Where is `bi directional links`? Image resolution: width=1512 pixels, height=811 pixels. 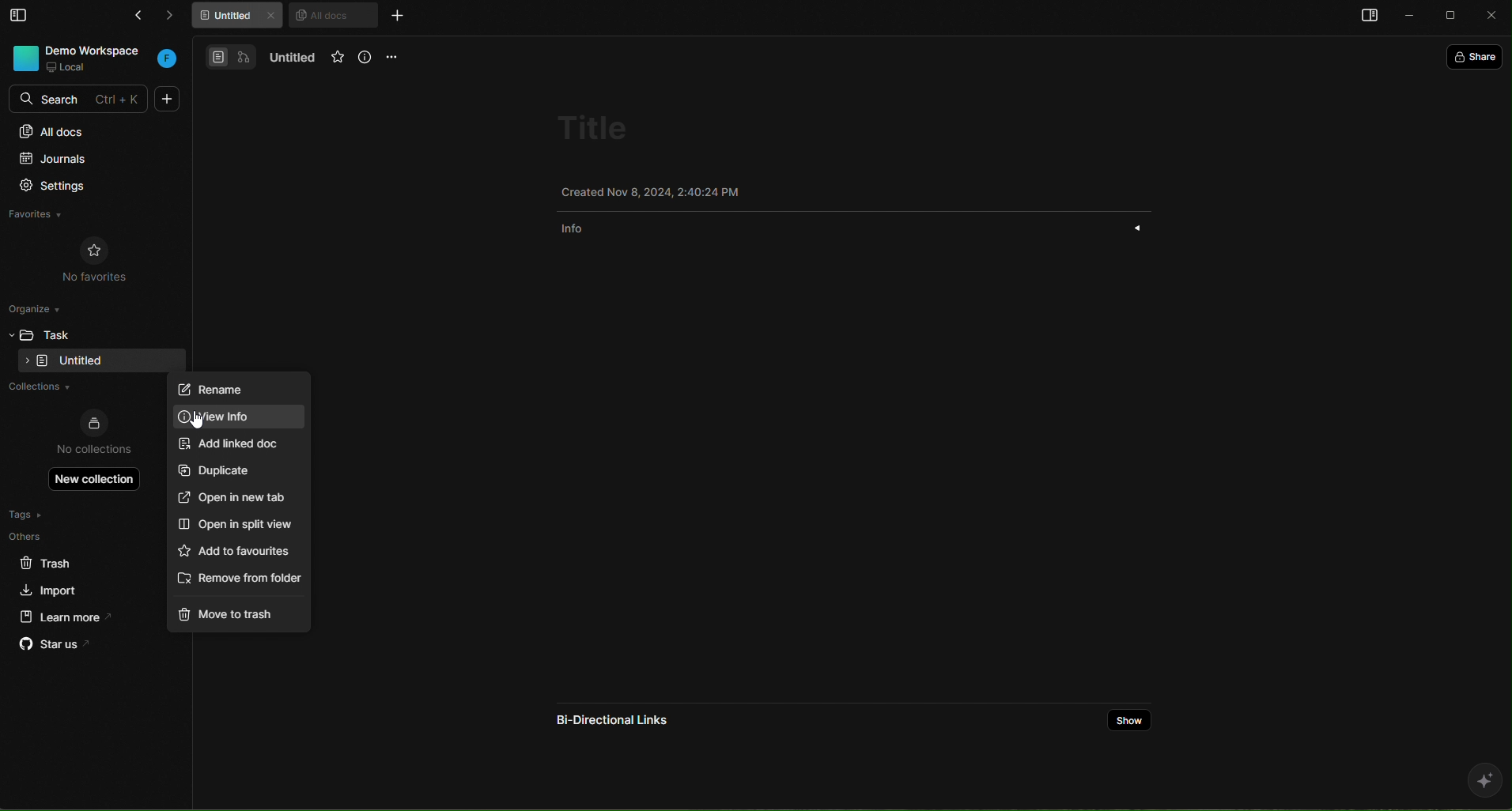 bi directional links is located at coordinates (609, 715).